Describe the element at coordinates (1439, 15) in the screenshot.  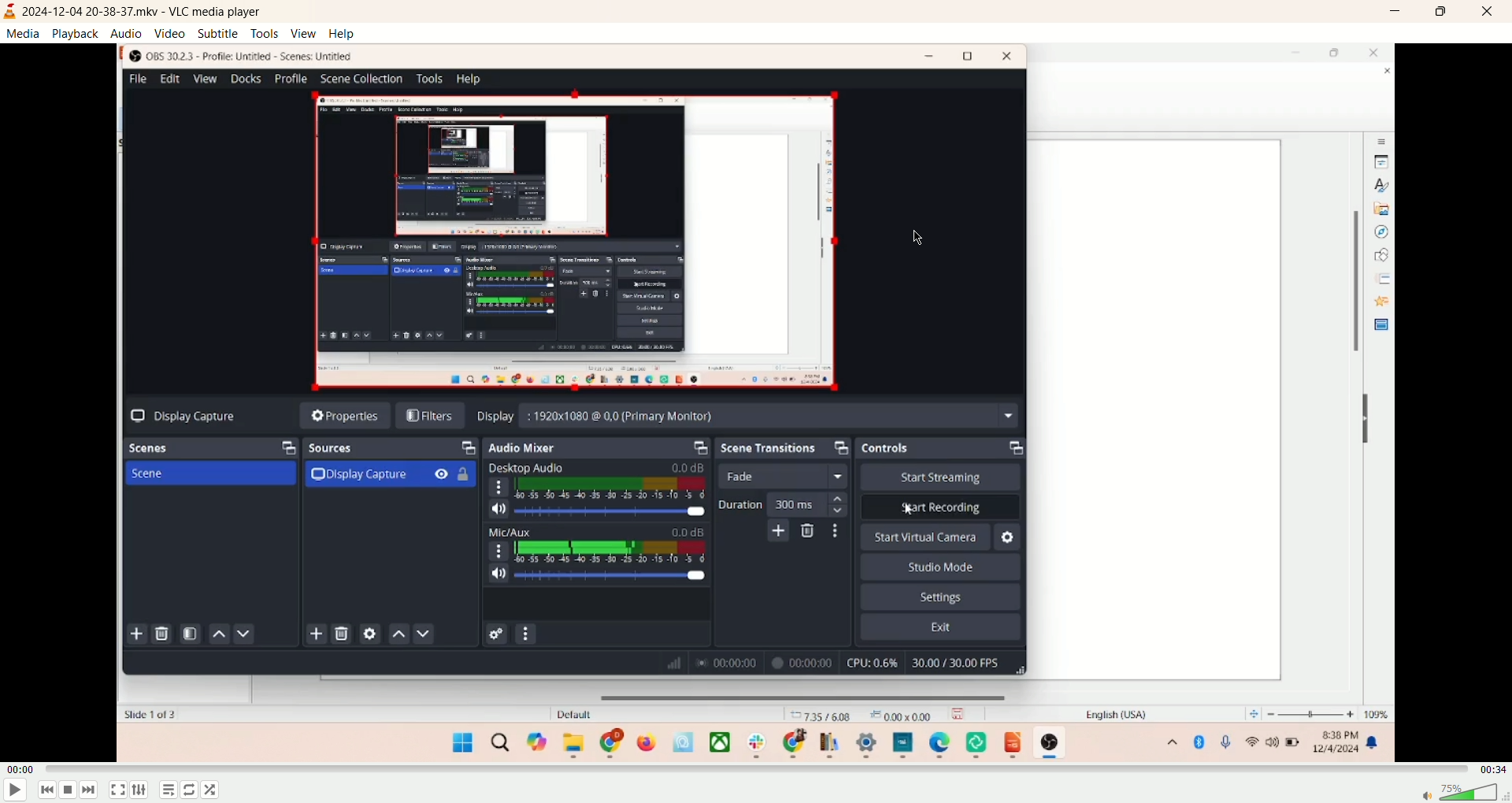
I see `maximize` at that location.